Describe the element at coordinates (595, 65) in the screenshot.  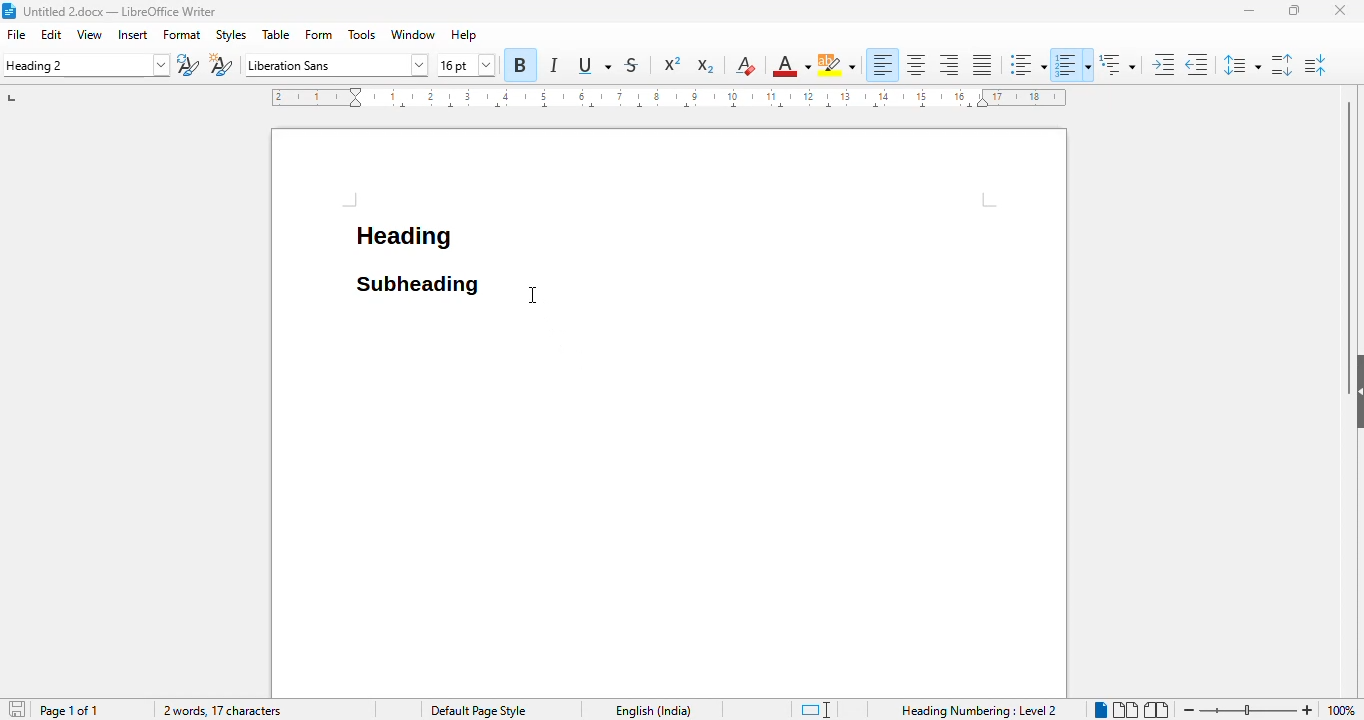
I see `underline` at that location.